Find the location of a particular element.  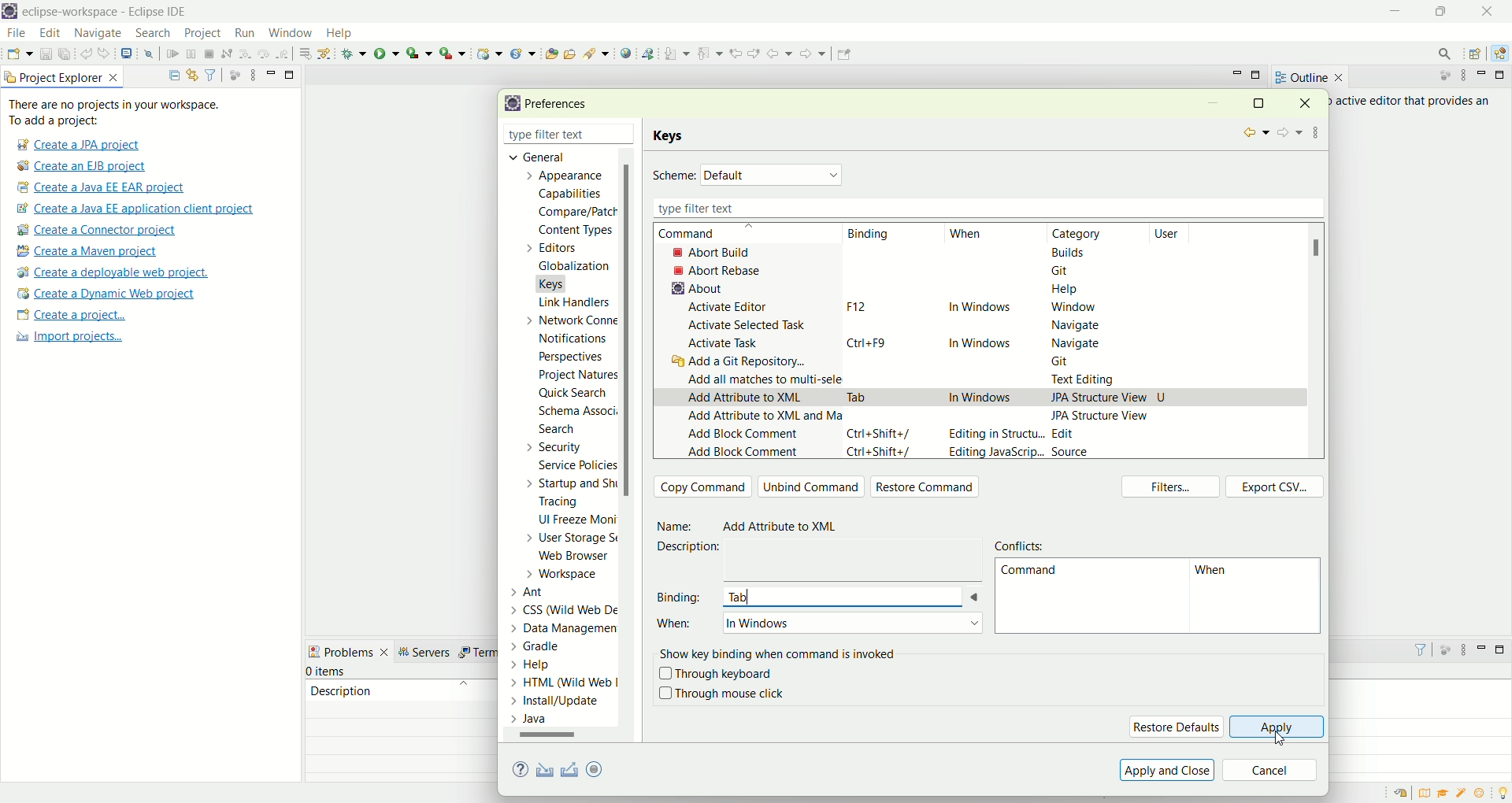

Pin editor is located at coordinates (842, 56).